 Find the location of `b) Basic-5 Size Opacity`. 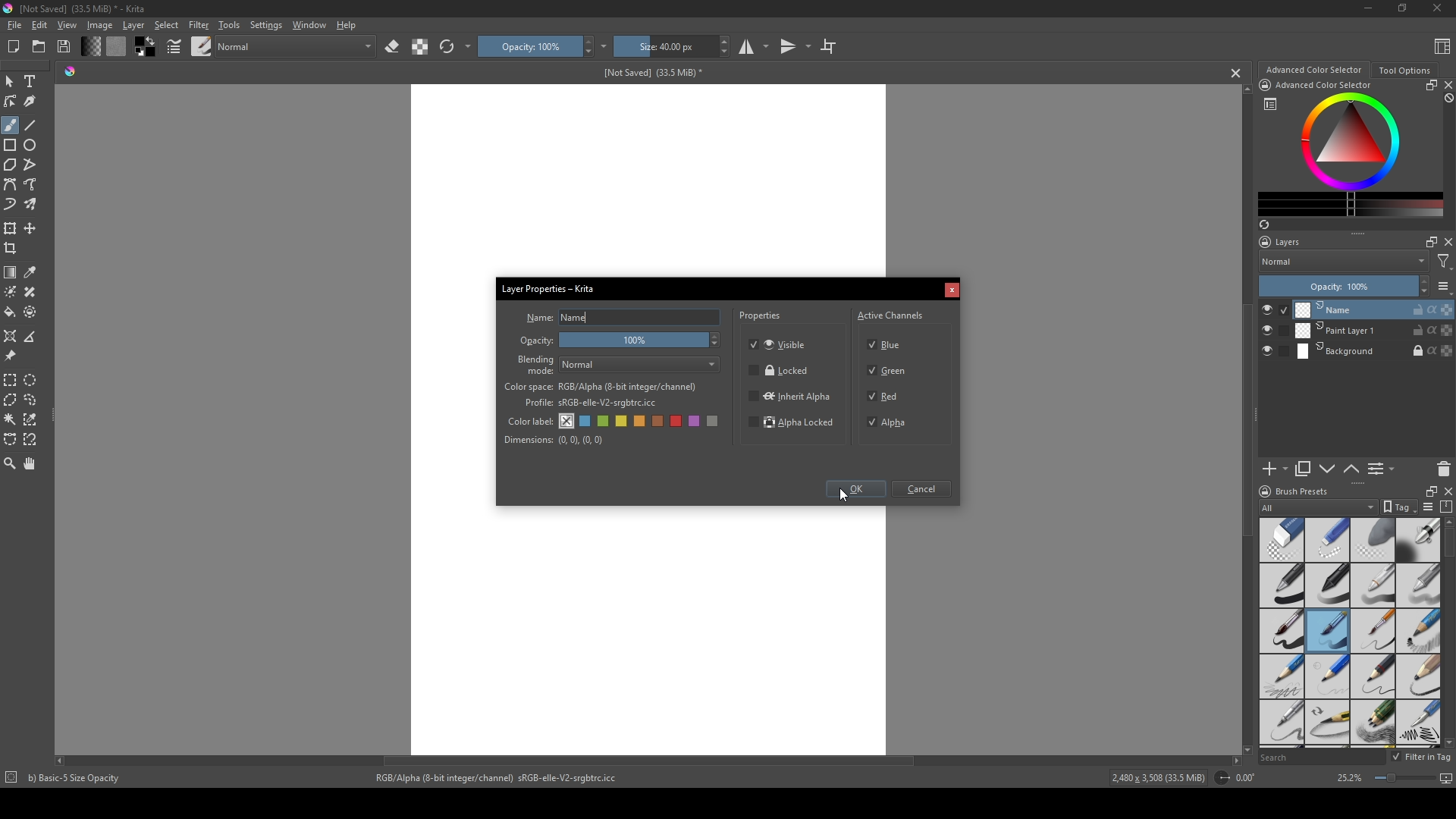

b) Basic-5 Size Opacity is located at coordinates (77, 778).